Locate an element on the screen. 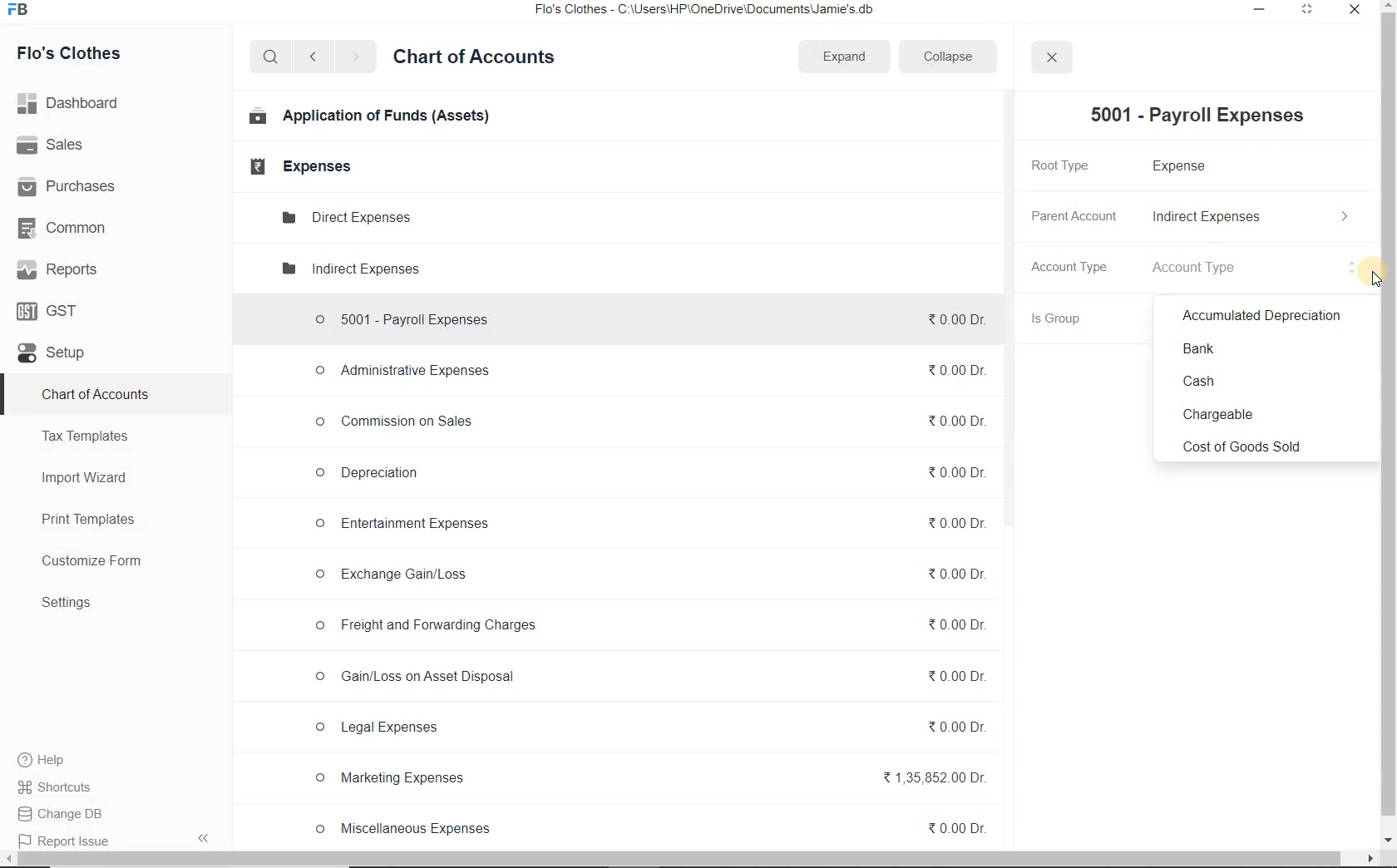  checkbox is located at coordinates (1376, 280).